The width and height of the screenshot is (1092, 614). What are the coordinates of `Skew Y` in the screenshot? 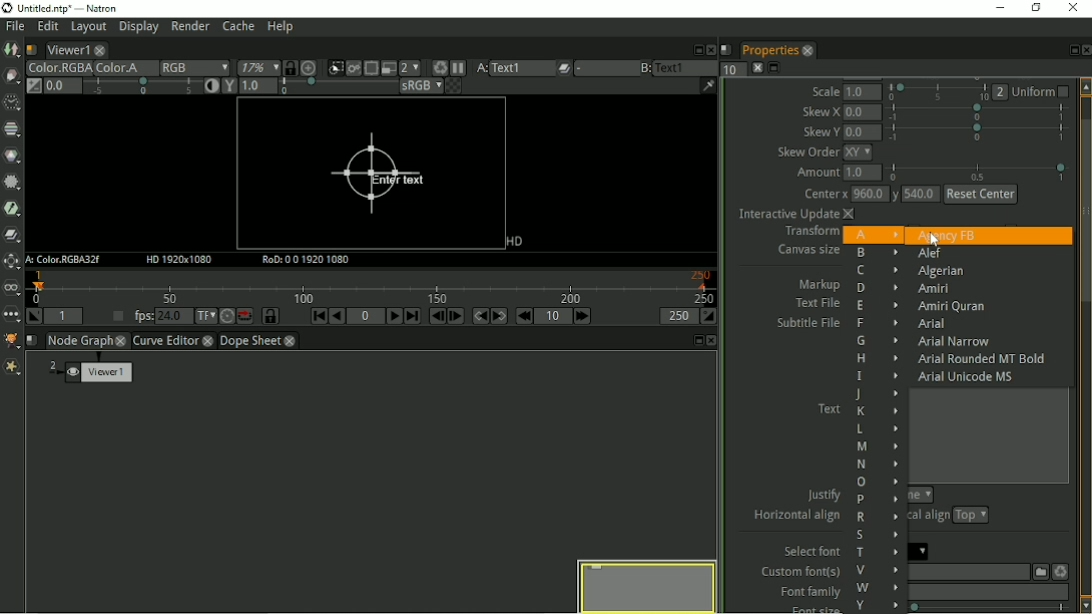 It's located at (820, 132).